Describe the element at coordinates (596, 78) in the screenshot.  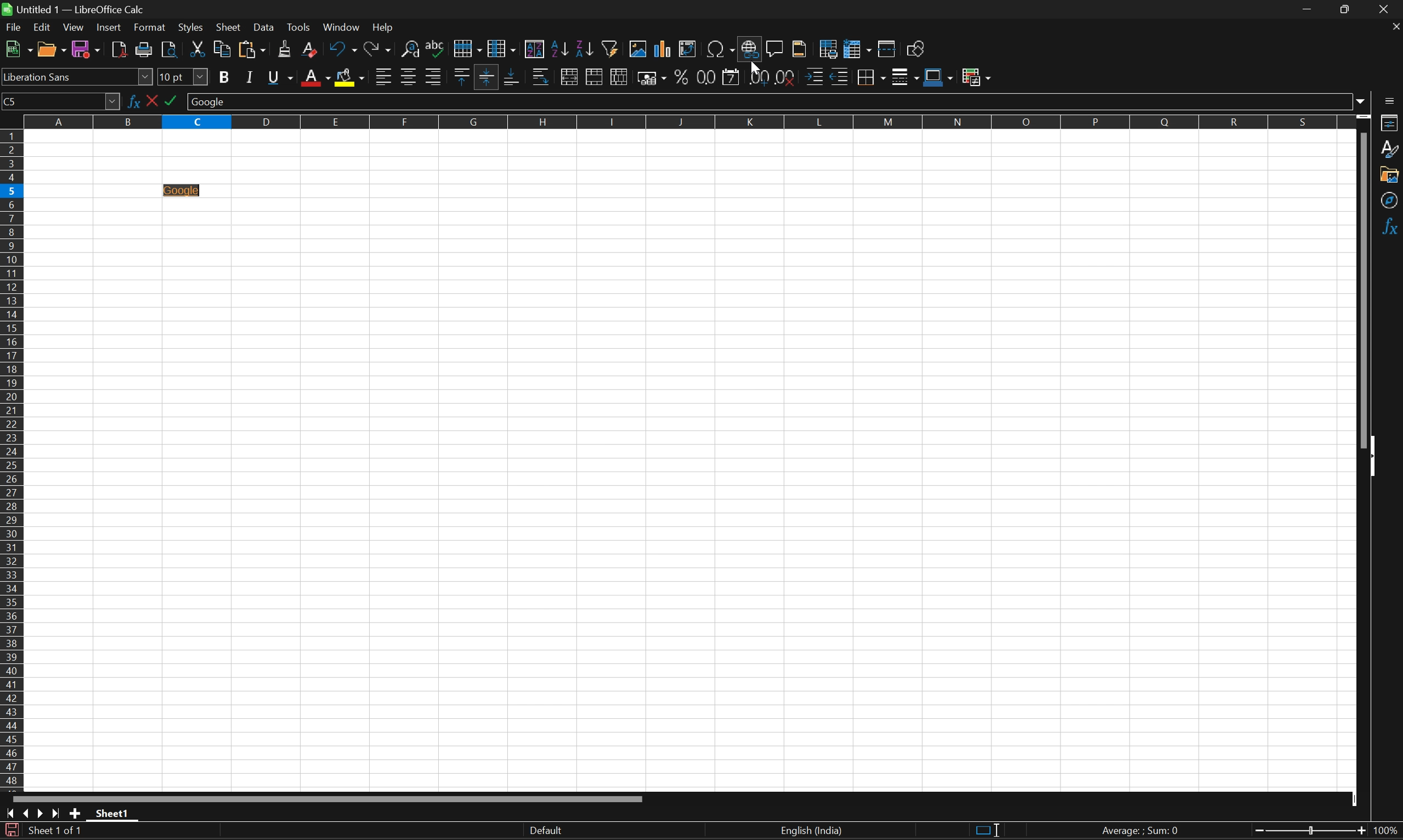
I see `Merge cells` at that location.